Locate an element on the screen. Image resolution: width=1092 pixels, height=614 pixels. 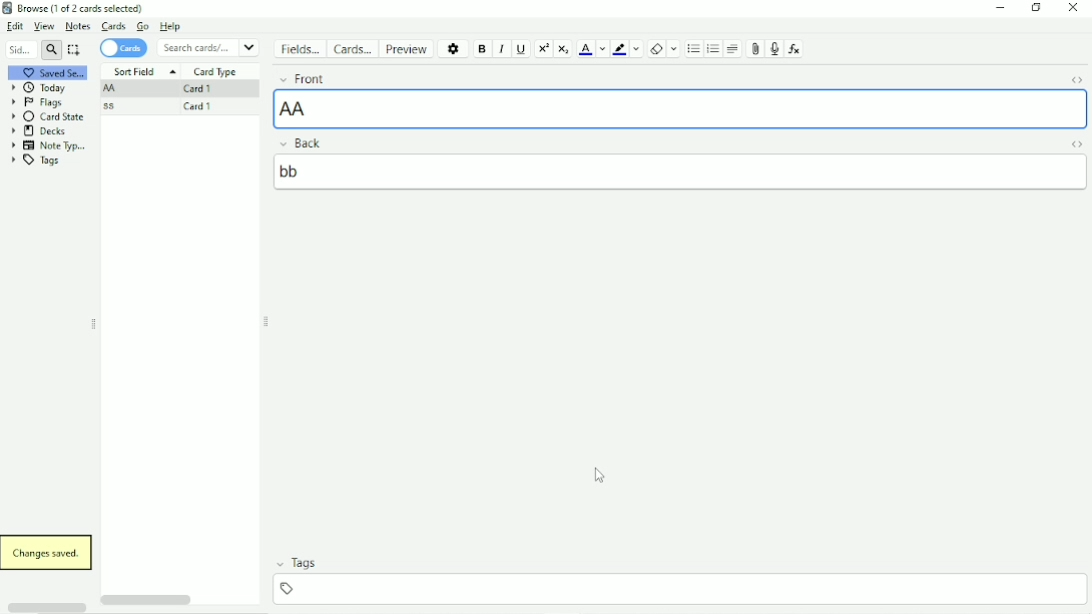
Sort Field is located at coordinates (144, 72).